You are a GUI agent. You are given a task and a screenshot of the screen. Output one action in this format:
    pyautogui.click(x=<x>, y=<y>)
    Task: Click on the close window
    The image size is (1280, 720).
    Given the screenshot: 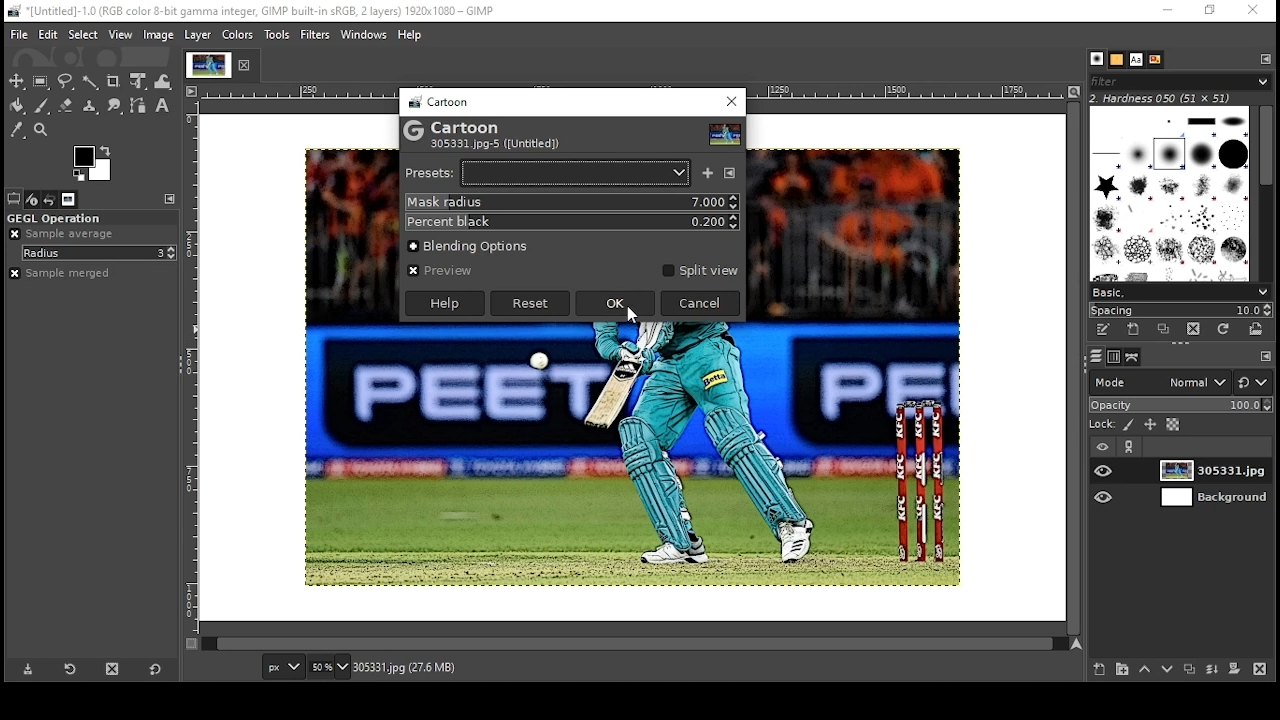 What is the action you would take?
    pyautogui.click(x=1252, y=10)
    